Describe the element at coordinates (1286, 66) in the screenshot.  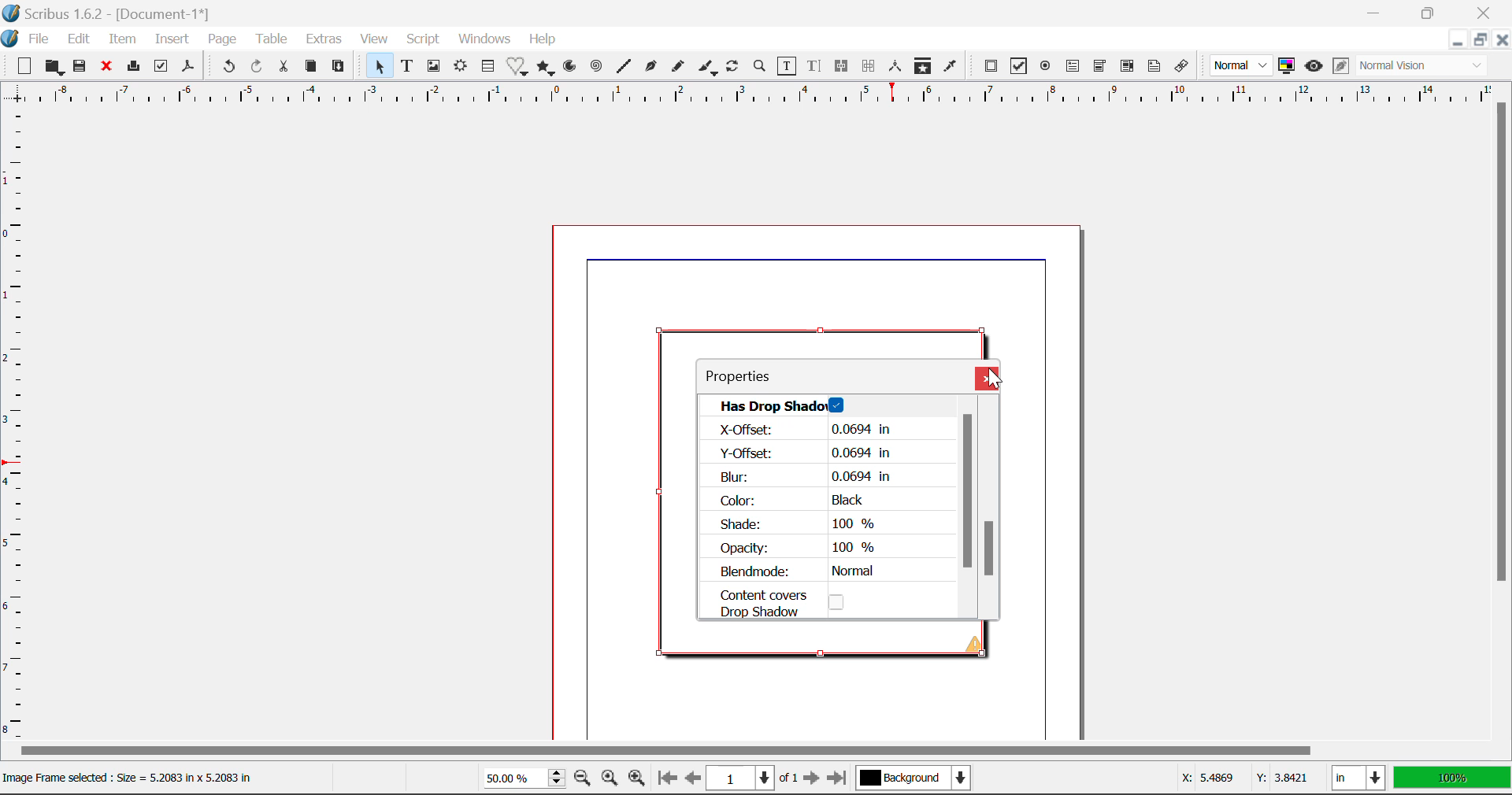
I see `Toggle Color Management` at that location.